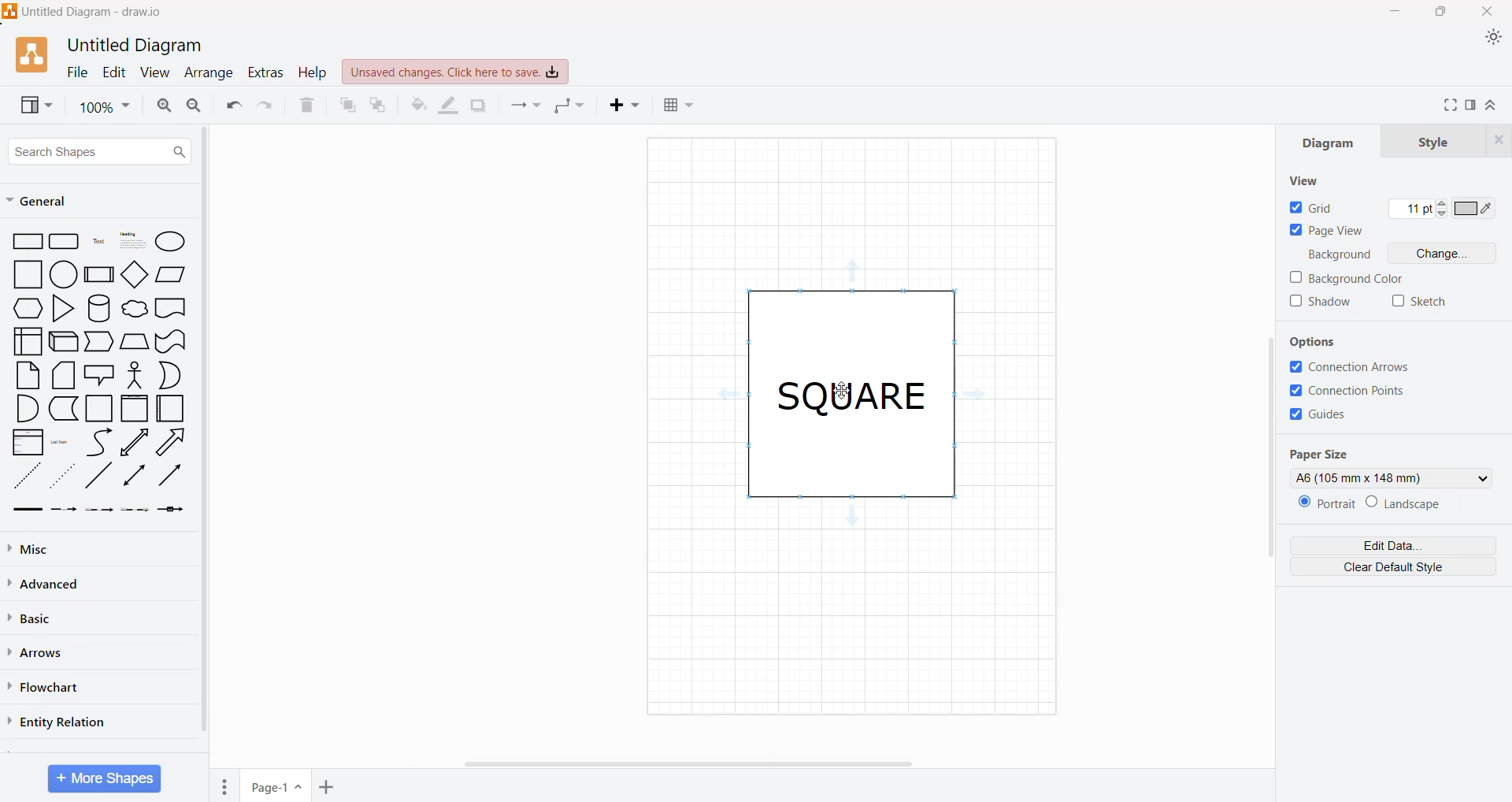  I want to click on Unsaved Changes. Click here to save, so click(456, 72).